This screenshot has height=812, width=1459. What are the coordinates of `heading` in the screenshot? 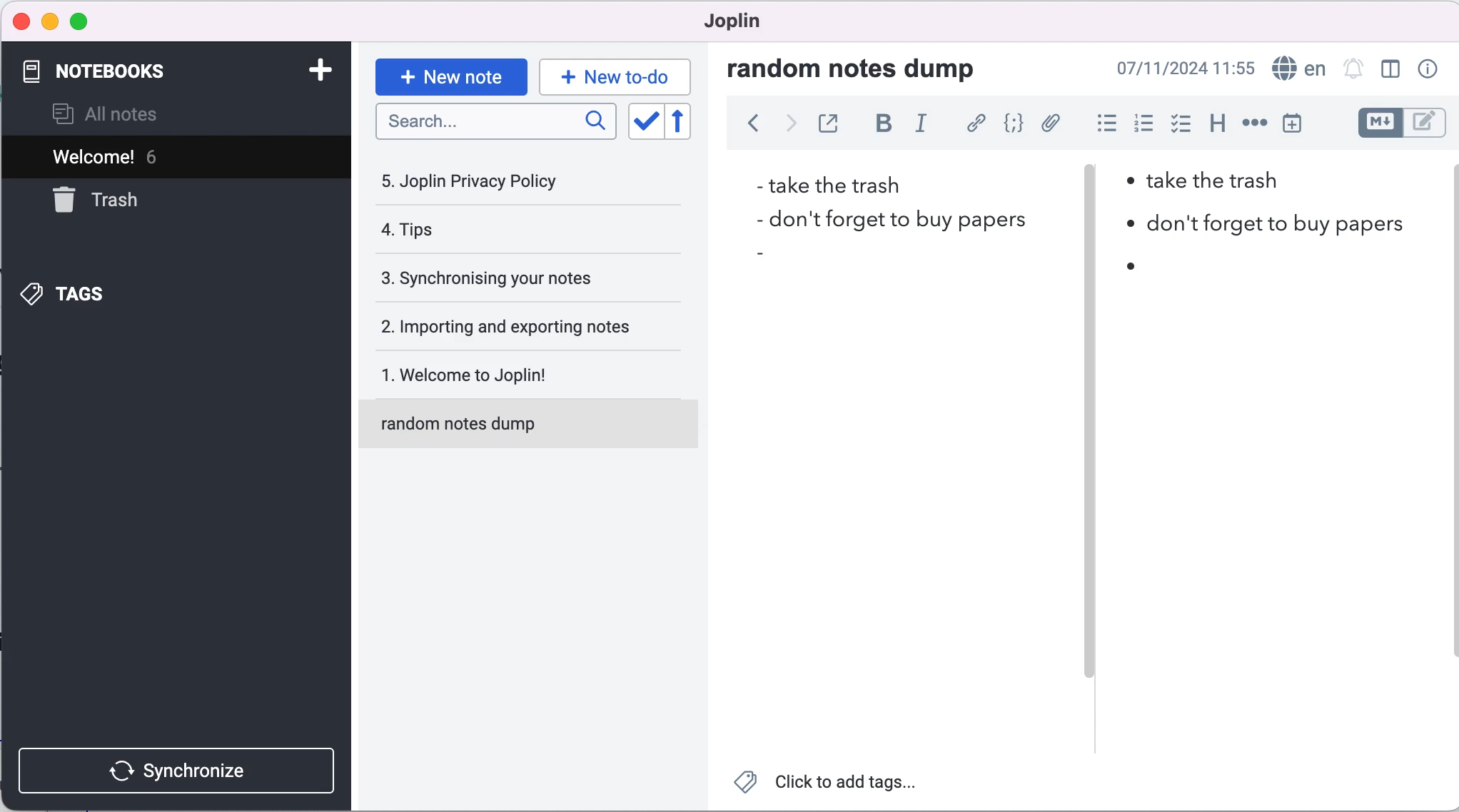 It's located at (1213, 125).